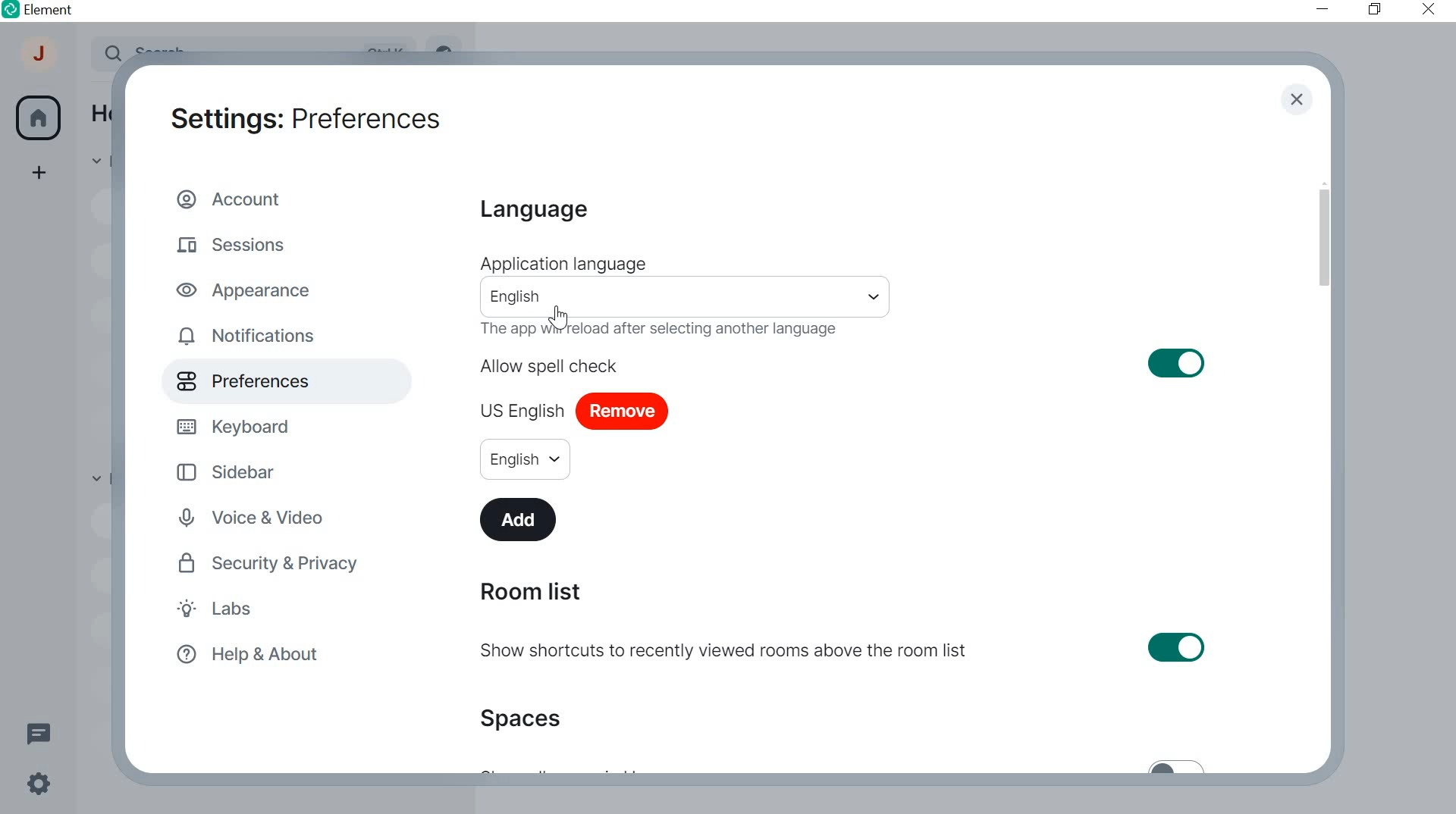  Describe the element at coordinates (40, 175) in the screenshot. I see `CREATE A SPACE` at that location.